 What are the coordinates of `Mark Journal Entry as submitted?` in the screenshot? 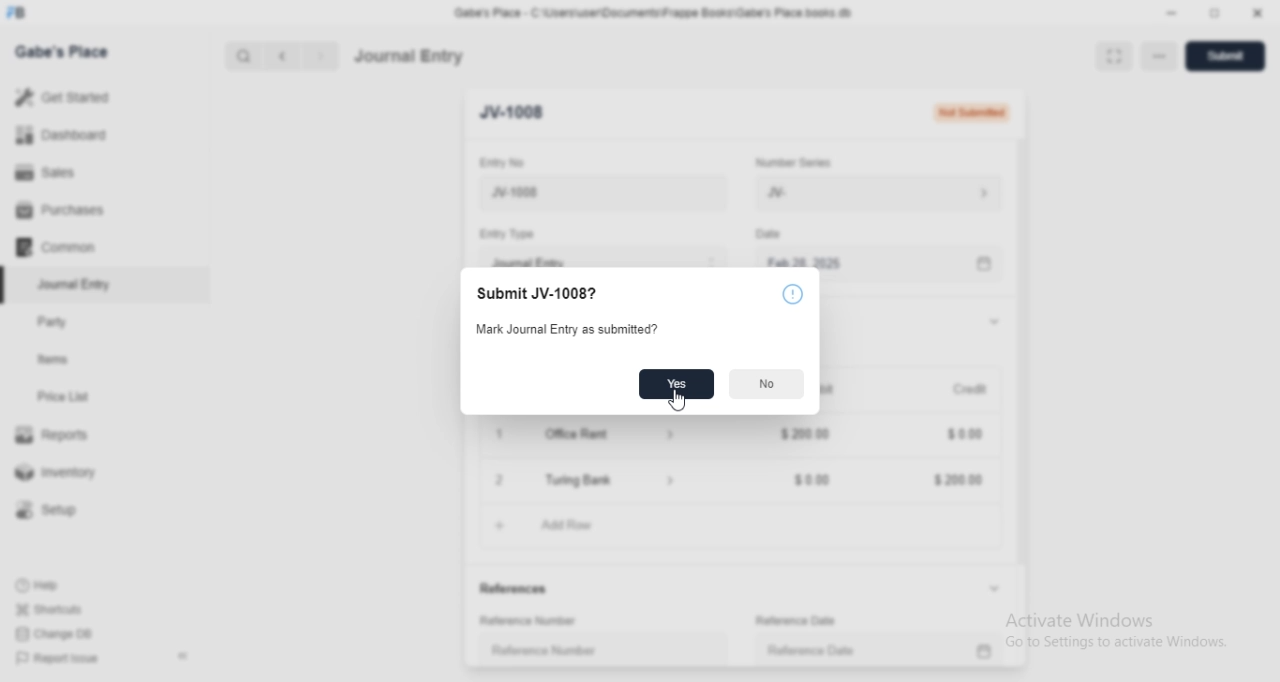 It's located at (575, 329).